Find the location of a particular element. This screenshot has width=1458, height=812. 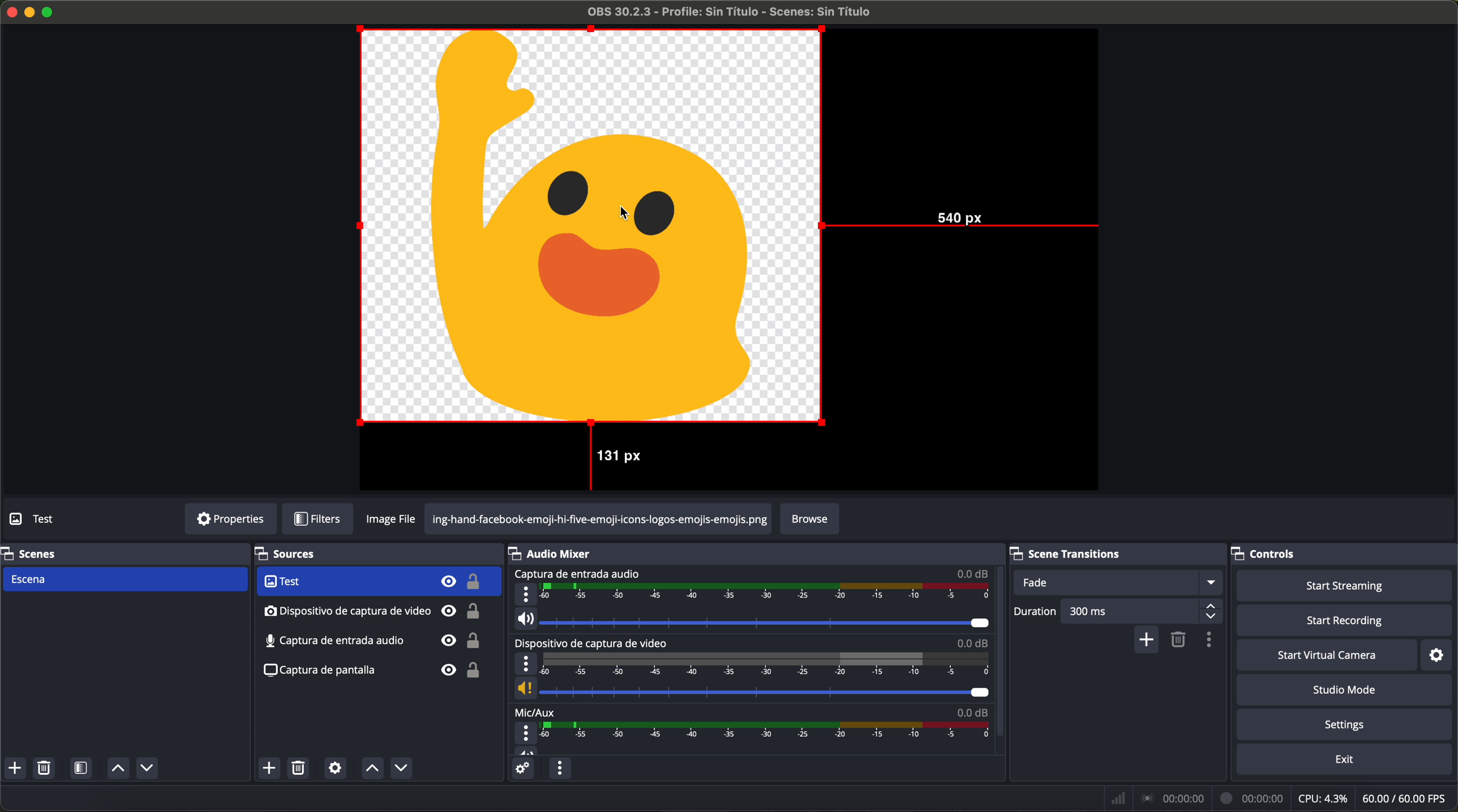

scroll down is located at coordinates (1001, 640).